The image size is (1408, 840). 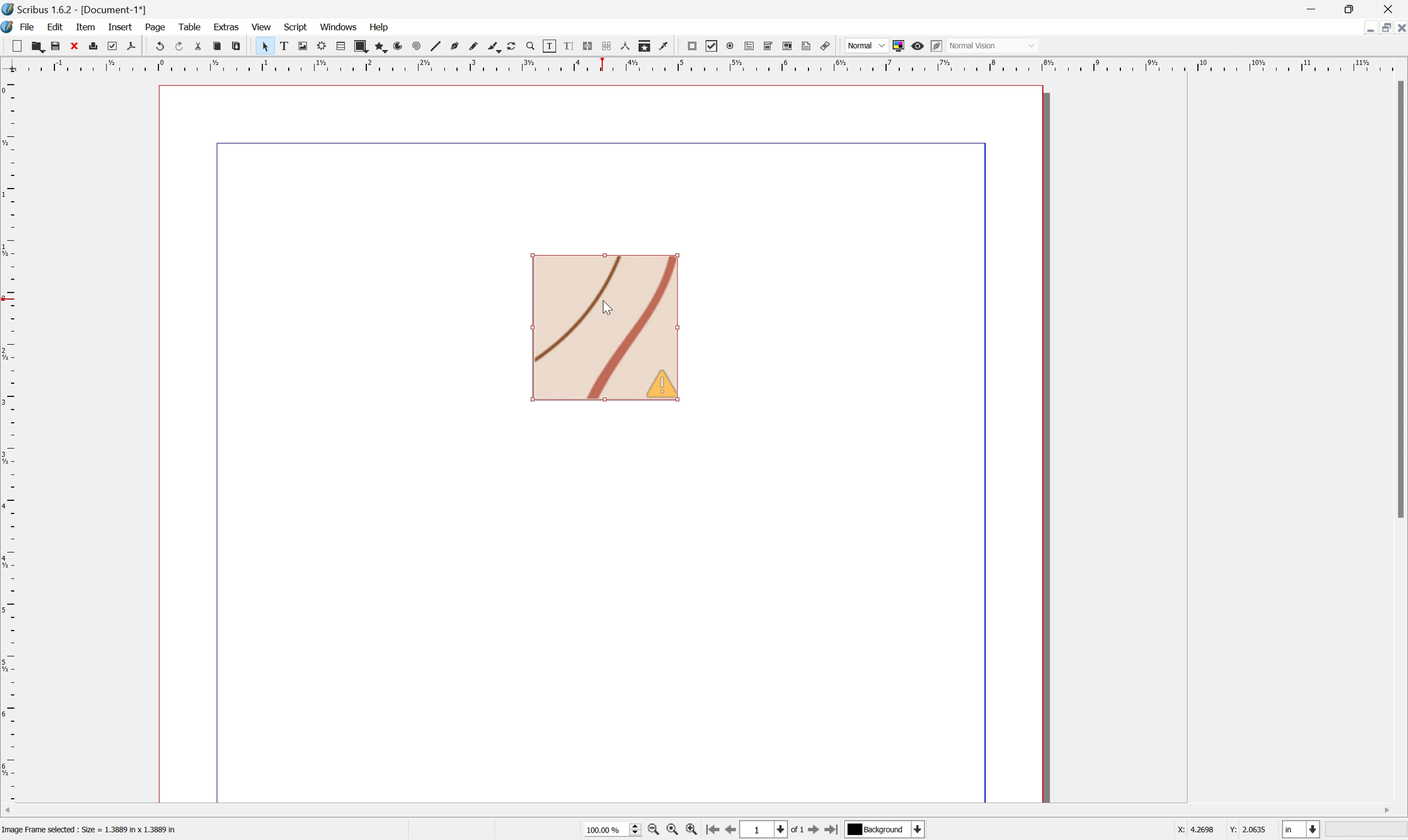 I want to click on Minimize, so click(x=1360, y=28).